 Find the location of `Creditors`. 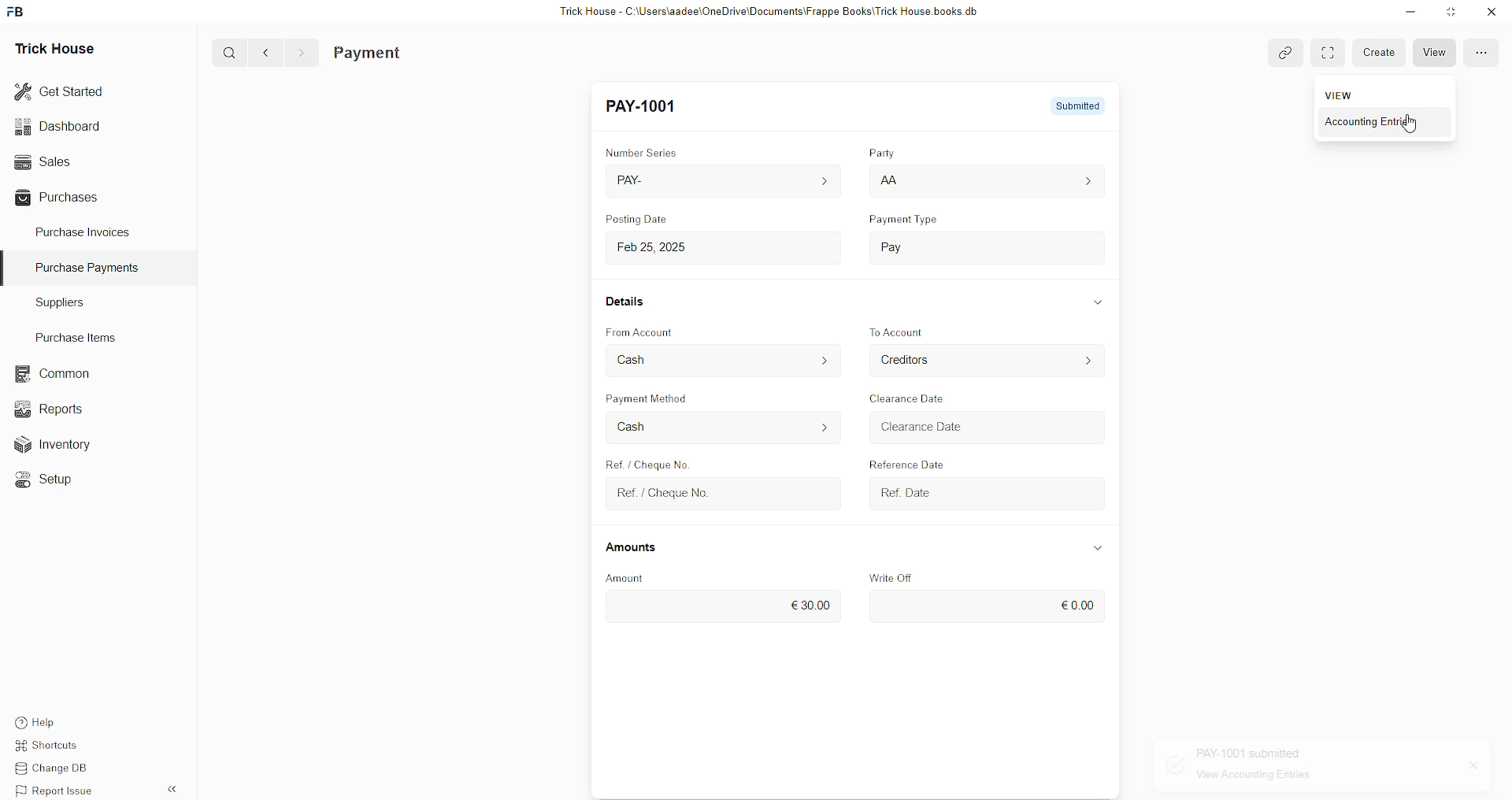

Creditors is located at coordinates (915, 361).